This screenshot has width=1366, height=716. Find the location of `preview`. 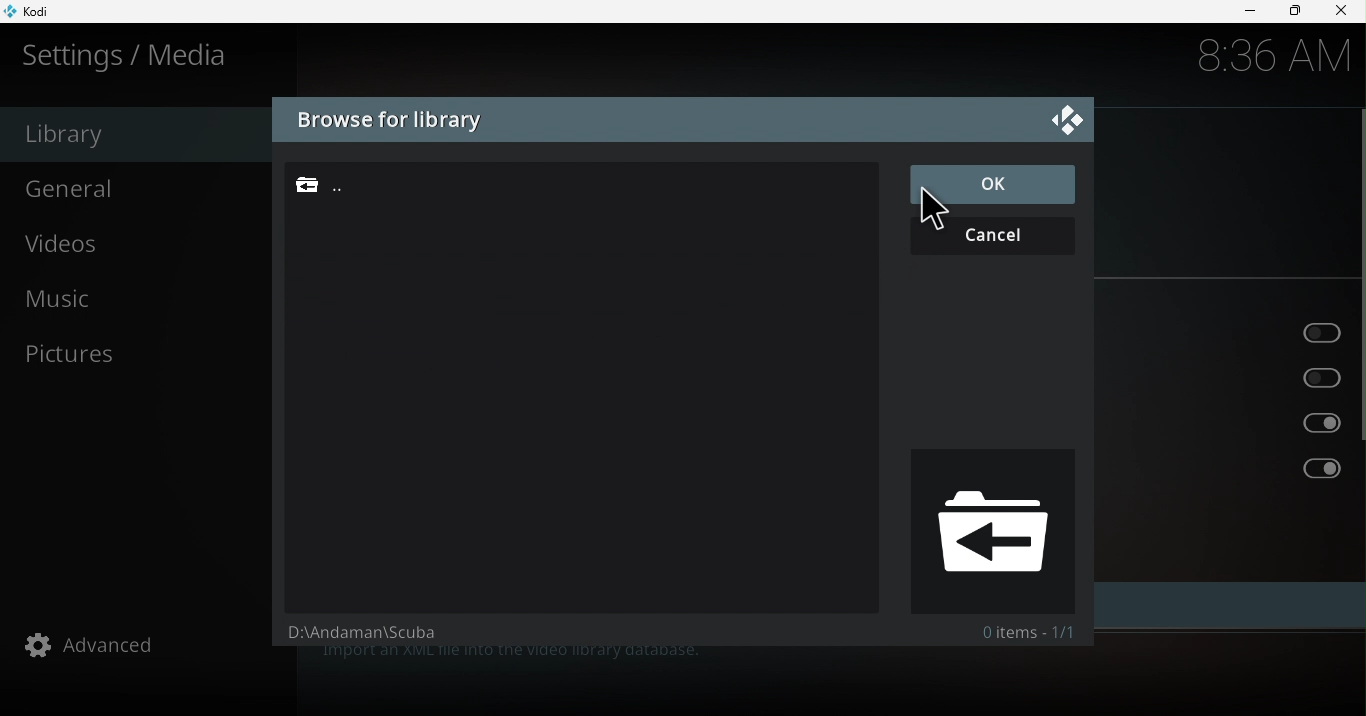

preview is located at coordinates (990, 530).